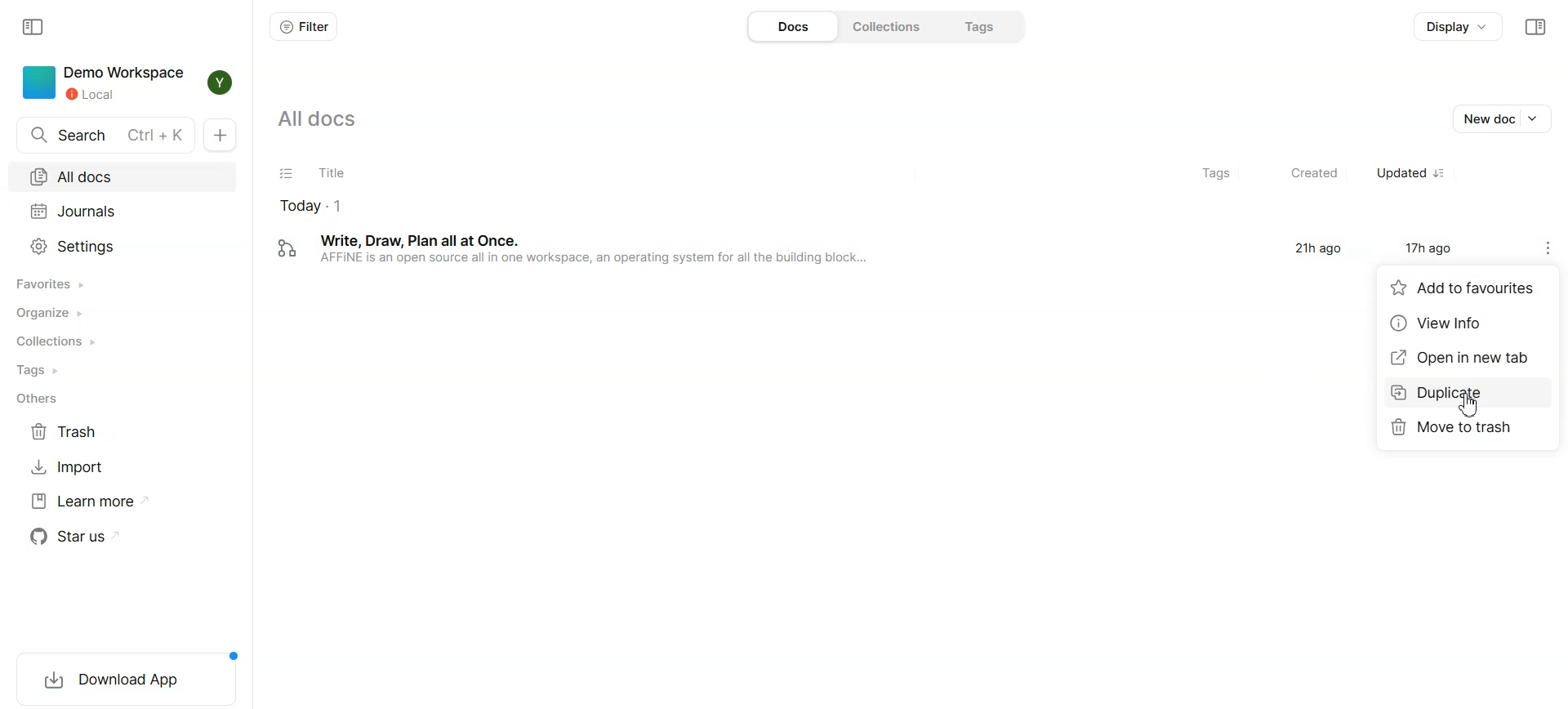 This screenshot has width=1568, height=709. Describe the element at coordinates (1468, 323) in the screenshot. I see `View Info` at that location.